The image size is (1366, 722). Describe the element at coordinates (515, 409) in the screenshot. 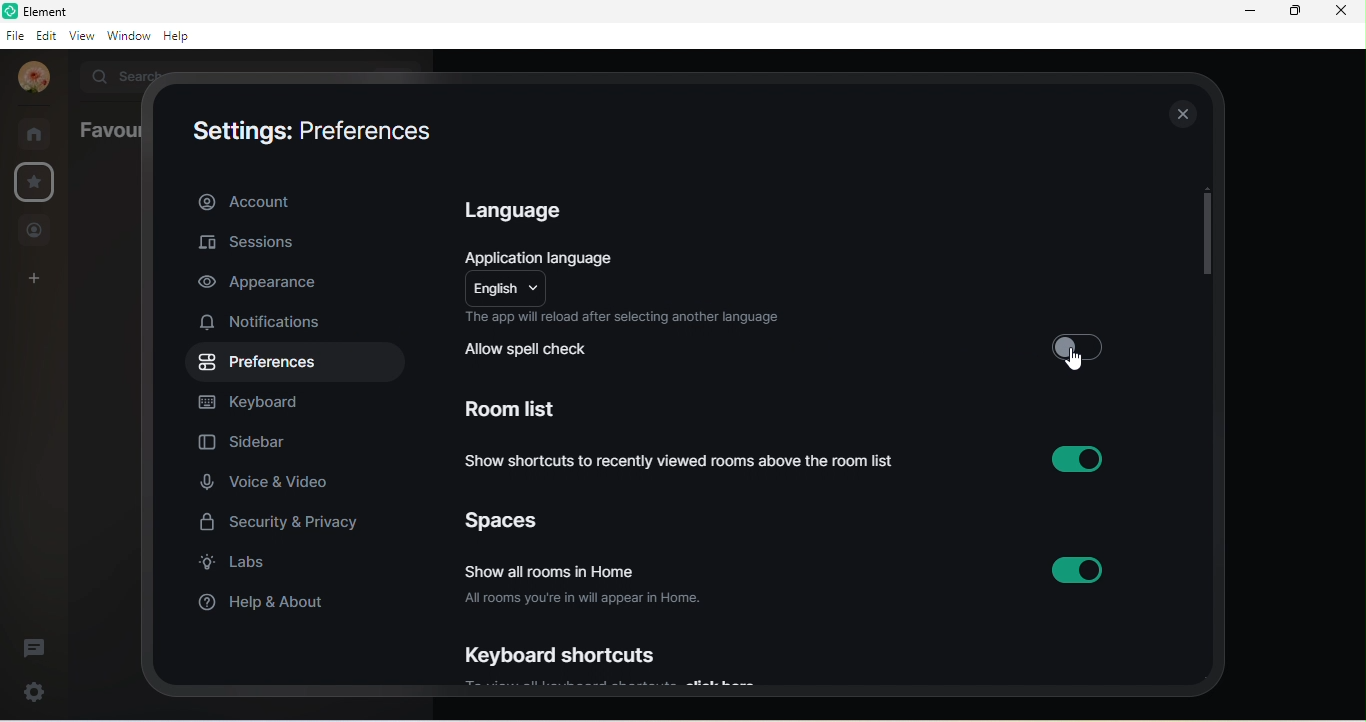

I see `room list` at that location.